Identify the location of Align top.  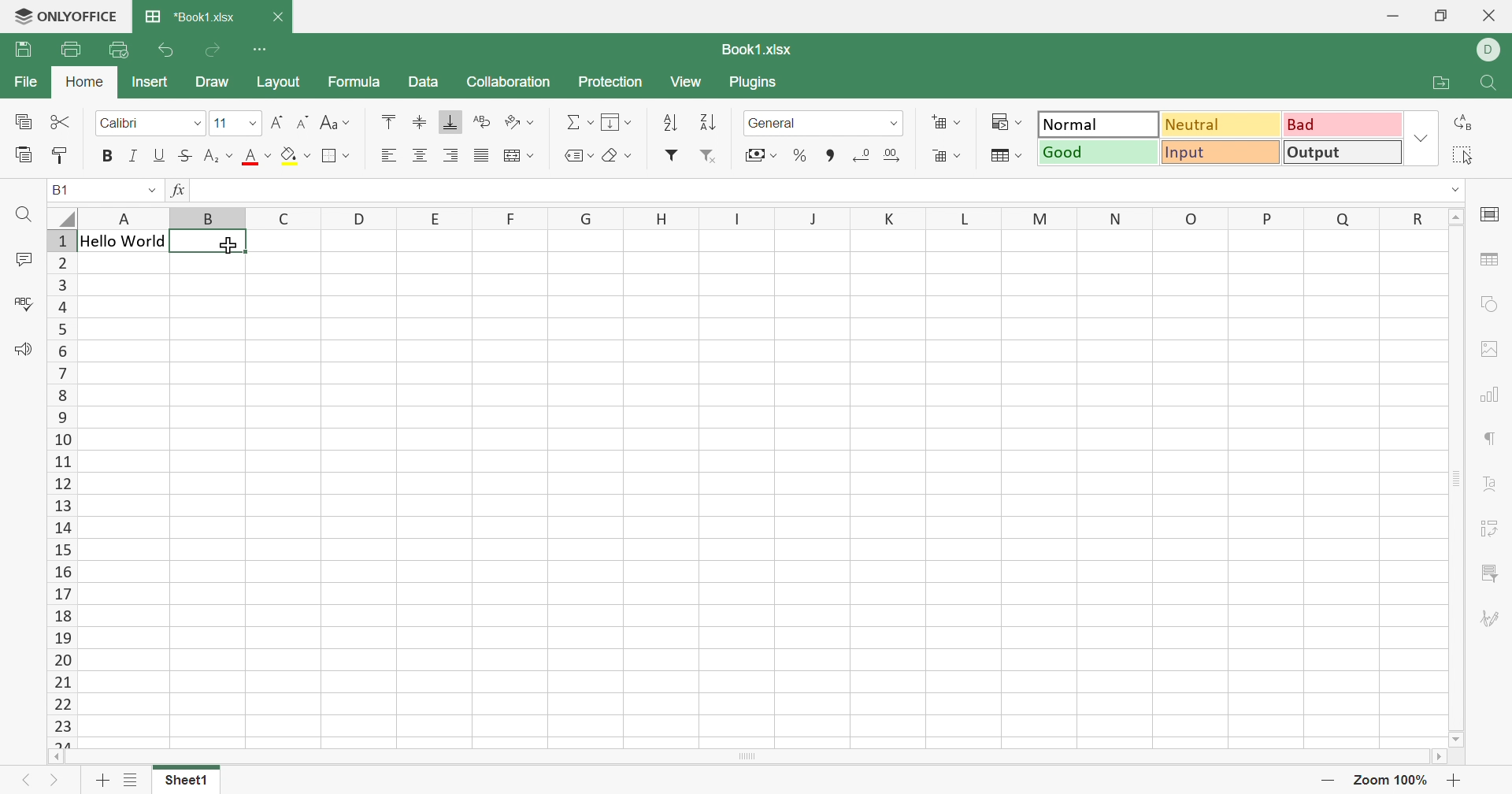
(391, 121).